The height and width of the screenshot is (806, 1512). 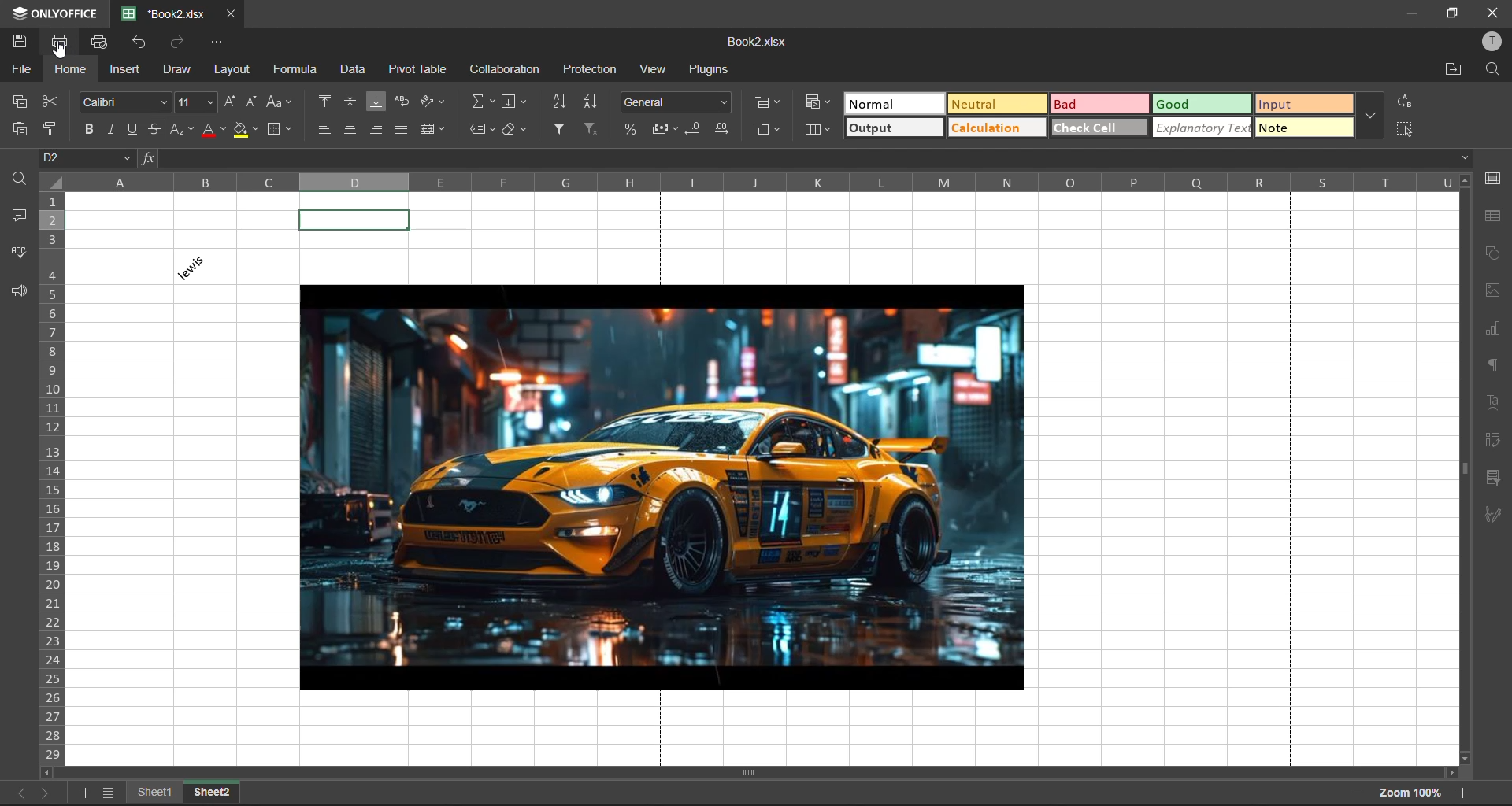 What do you see at coordinates (17, 179) in the screenshot?
I see `find` at bounding box center [17, 179].